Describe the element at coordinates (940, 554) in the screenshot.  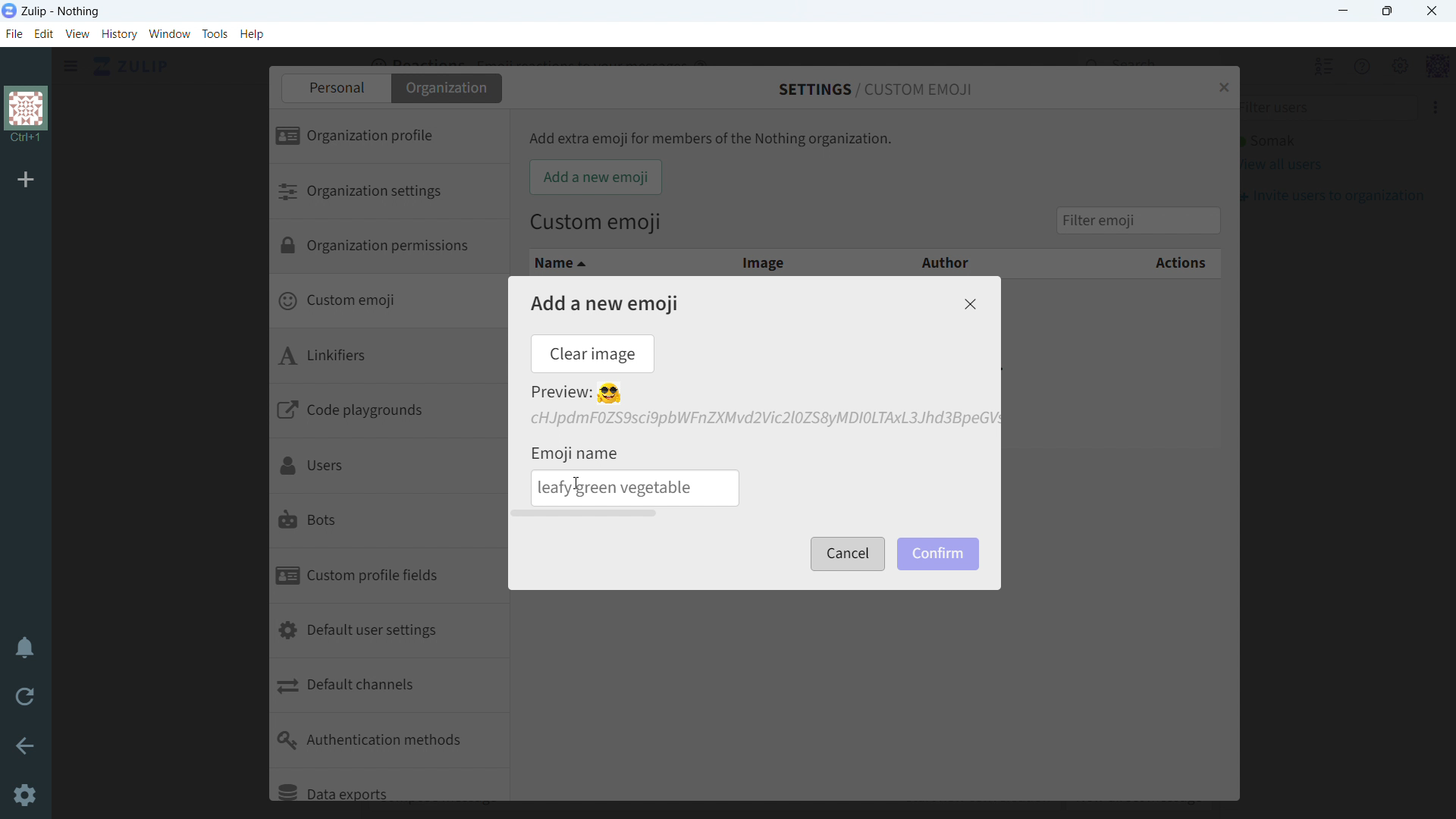
I see `confirm` at that location.